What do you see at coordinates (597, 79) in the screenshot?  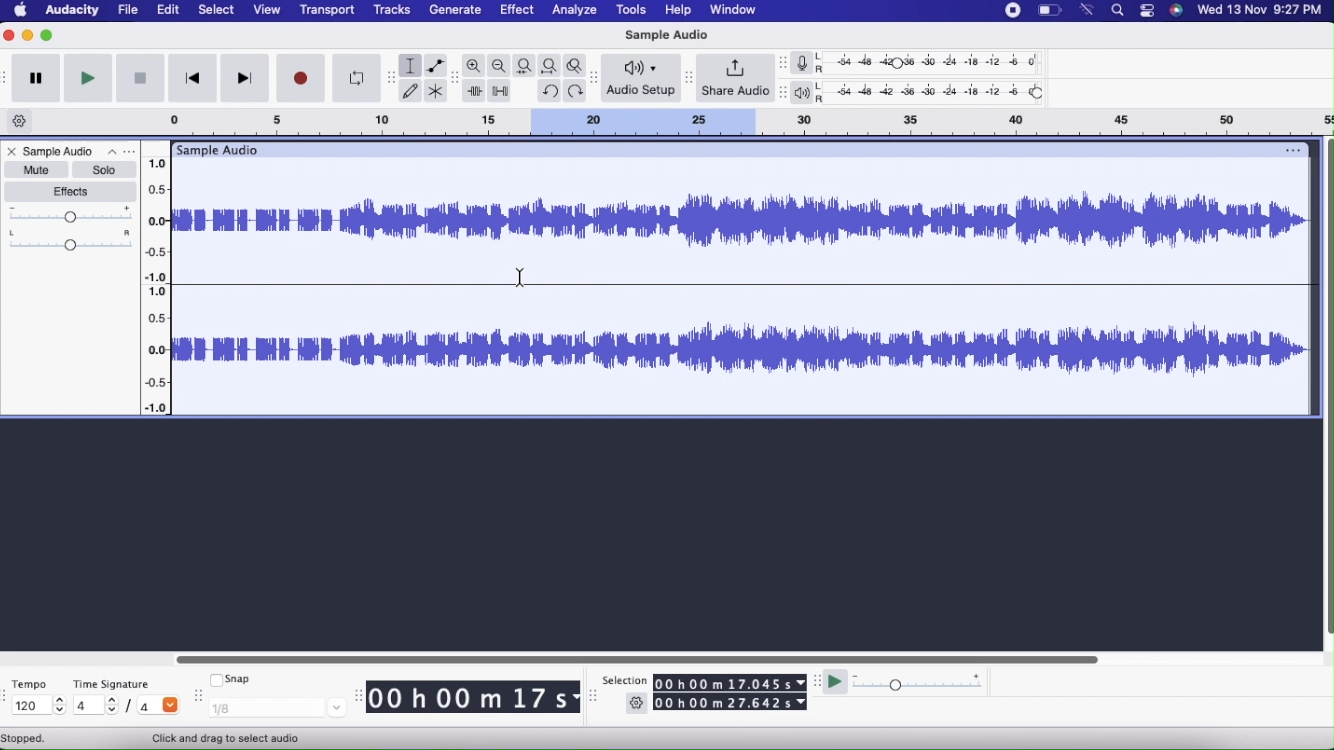 I see `move toolbar` at bounding box center [597, 79].